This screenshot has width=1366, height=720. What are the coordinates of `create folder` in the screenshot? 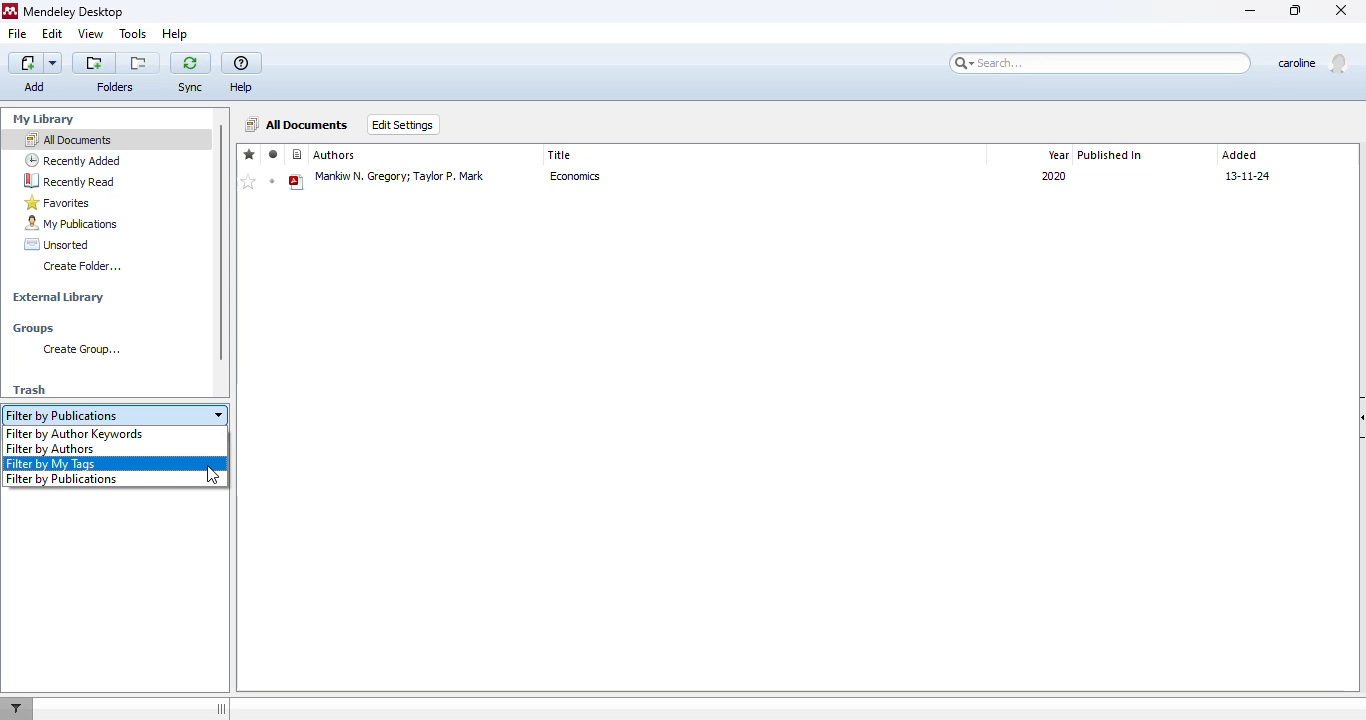 It's located at (82, 266).